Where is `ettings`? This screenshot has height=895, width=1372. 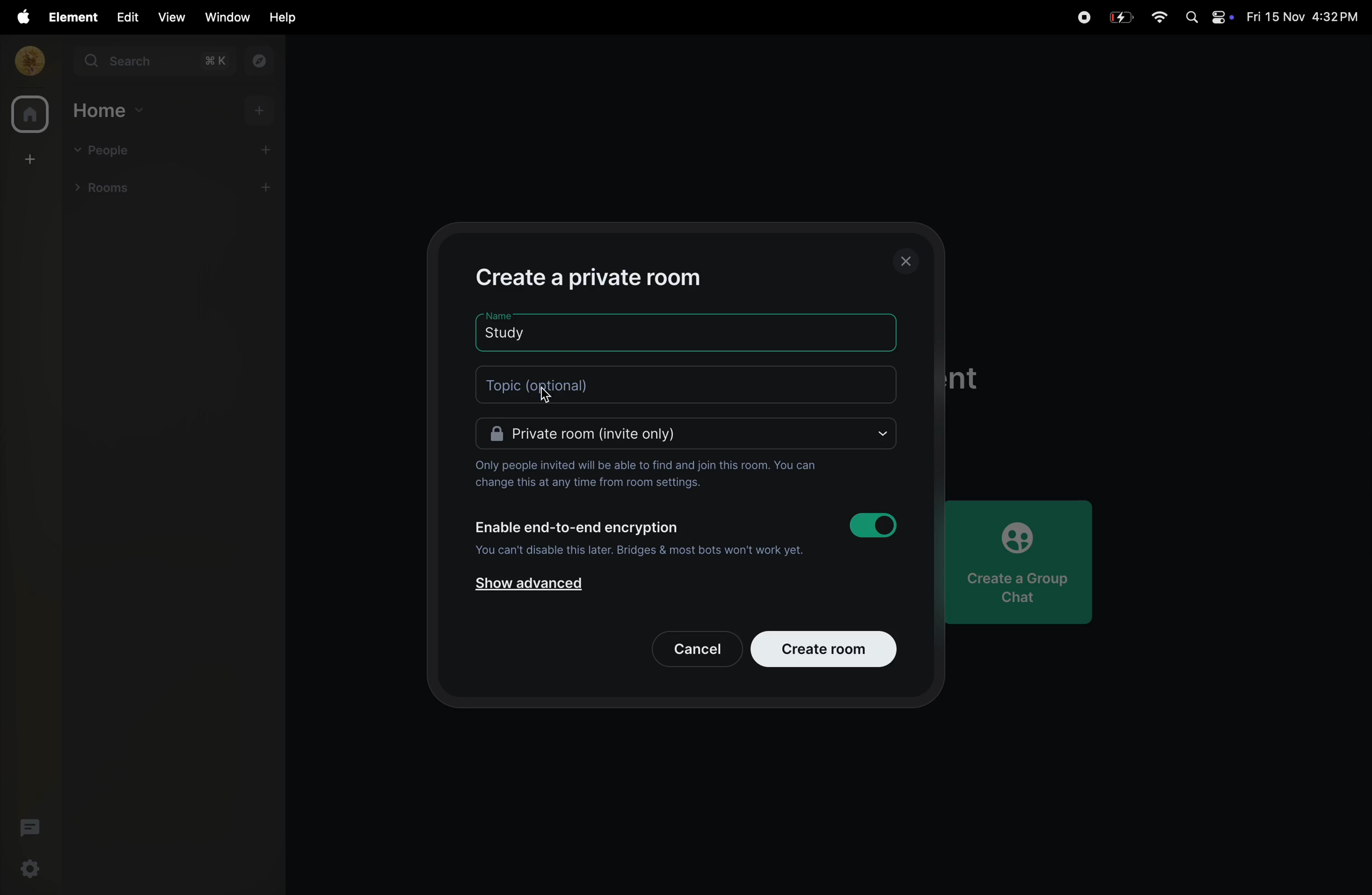
ettings is located at coordinates (31, 870).